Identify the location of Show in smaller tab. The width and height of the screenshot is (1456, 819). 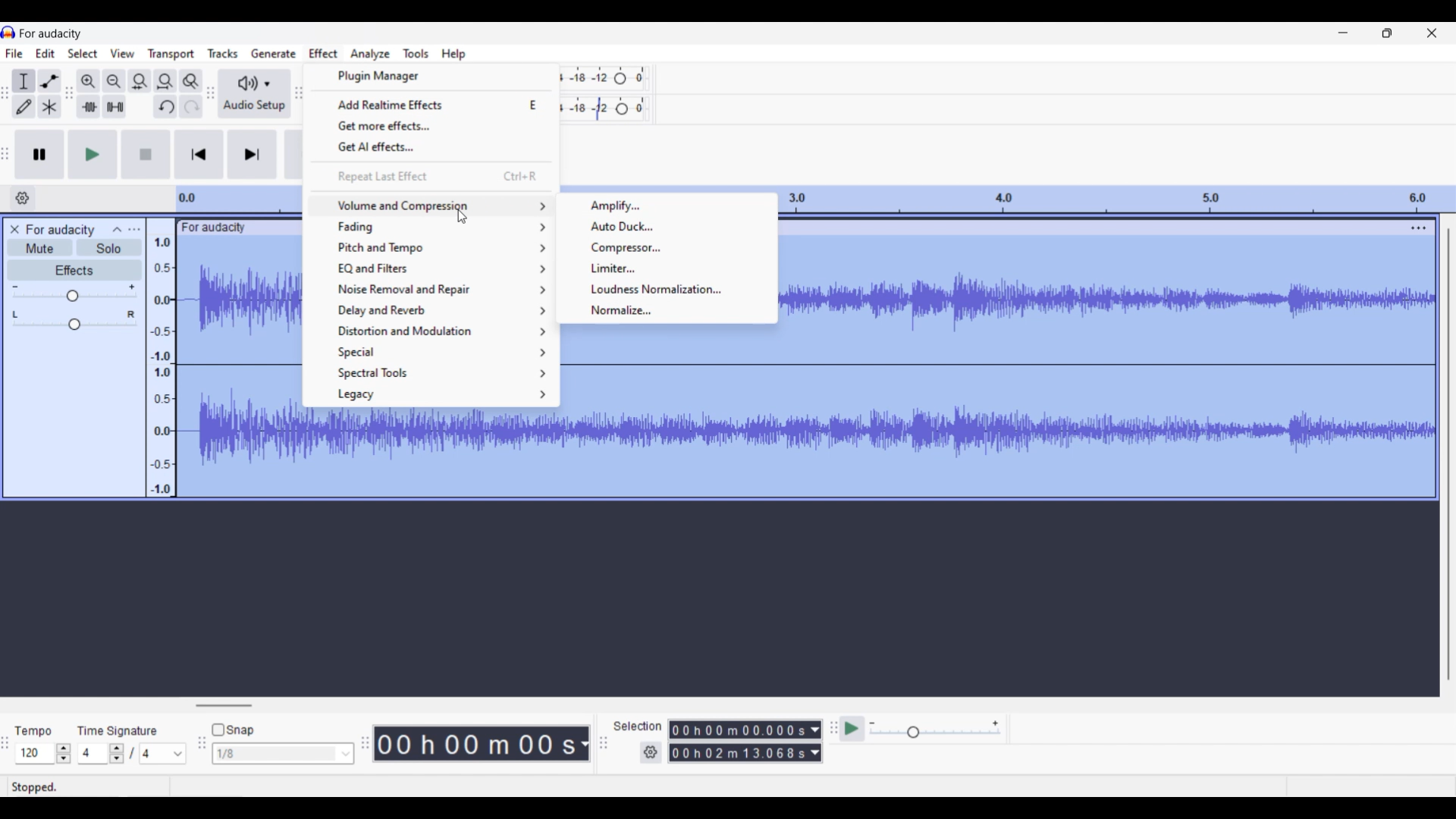
(1388, 33).